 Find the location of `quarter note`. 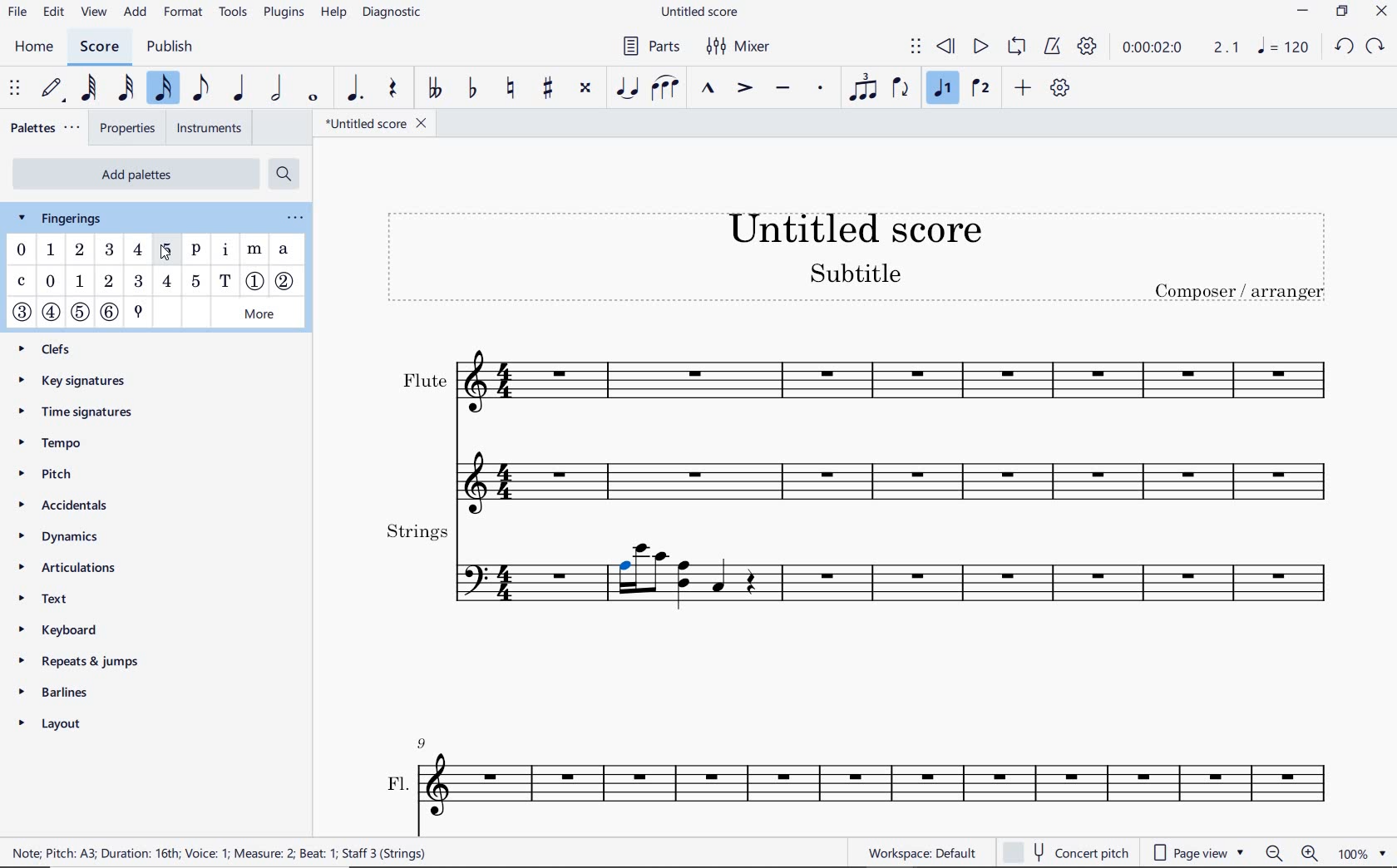

quarter note is located at coordinates (241, 89).